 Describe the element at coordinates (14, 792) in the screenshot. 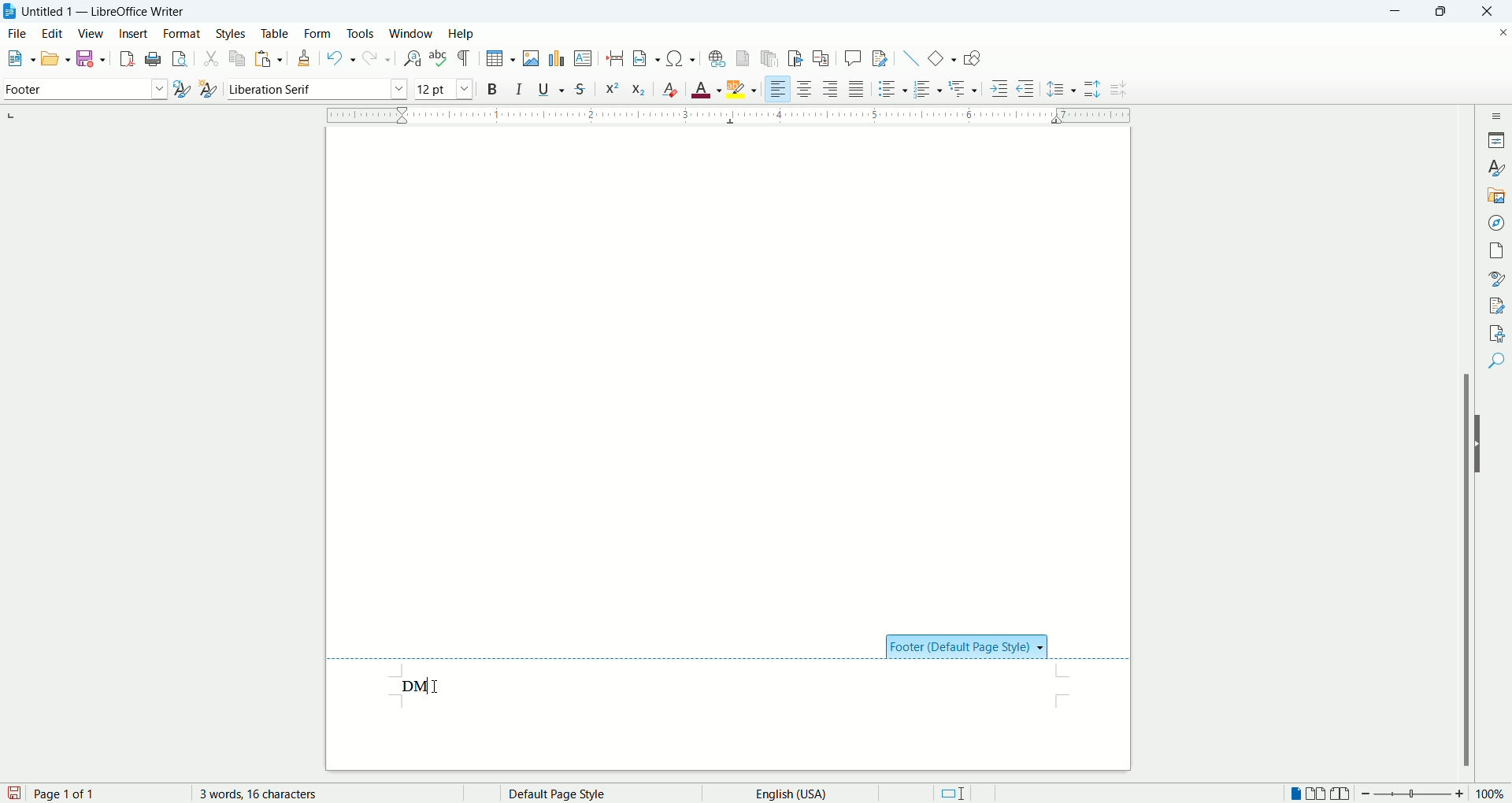

I see `save` at that location.